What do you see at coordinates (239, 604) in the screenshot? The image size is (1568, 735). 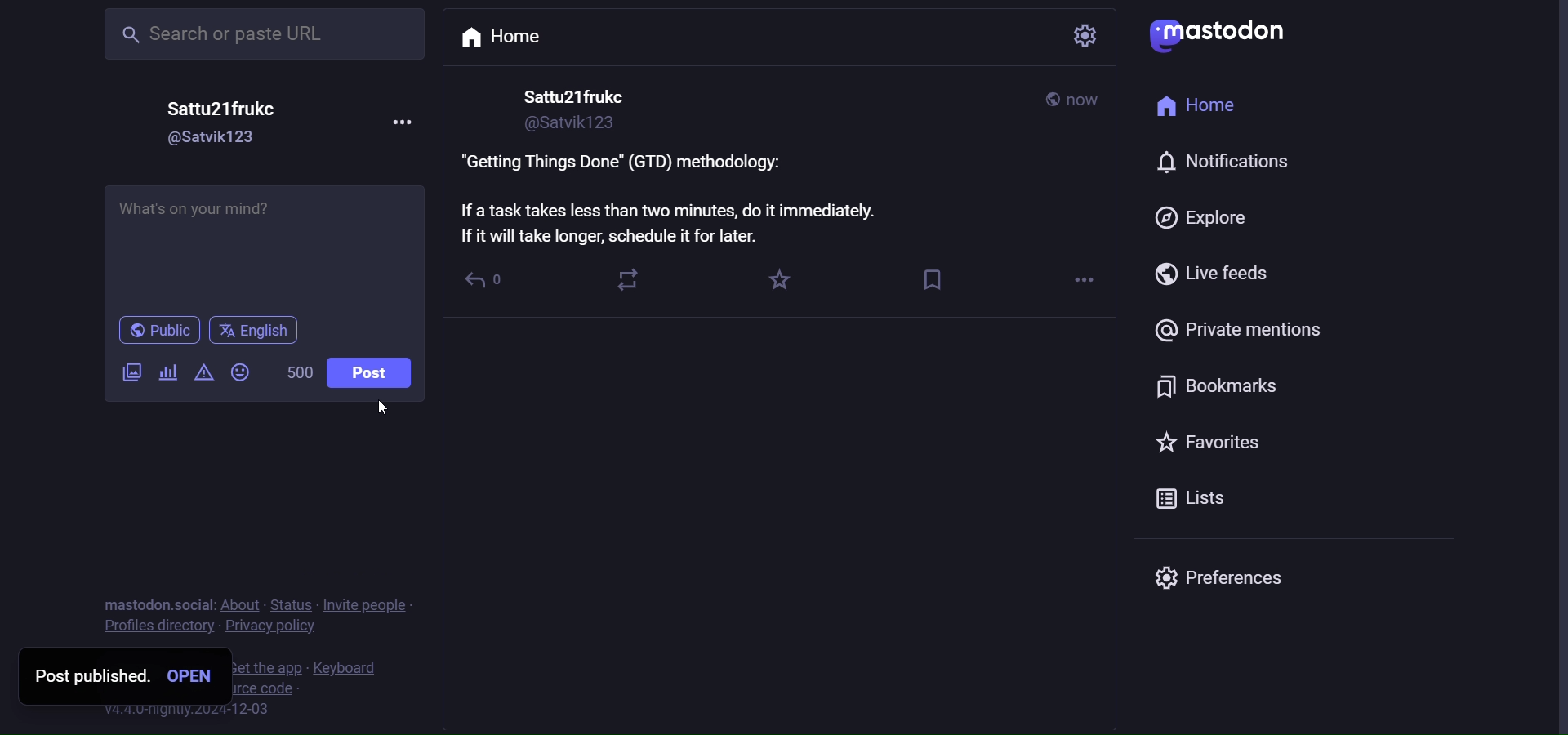 I see `about` at bounding box center [239, 604].